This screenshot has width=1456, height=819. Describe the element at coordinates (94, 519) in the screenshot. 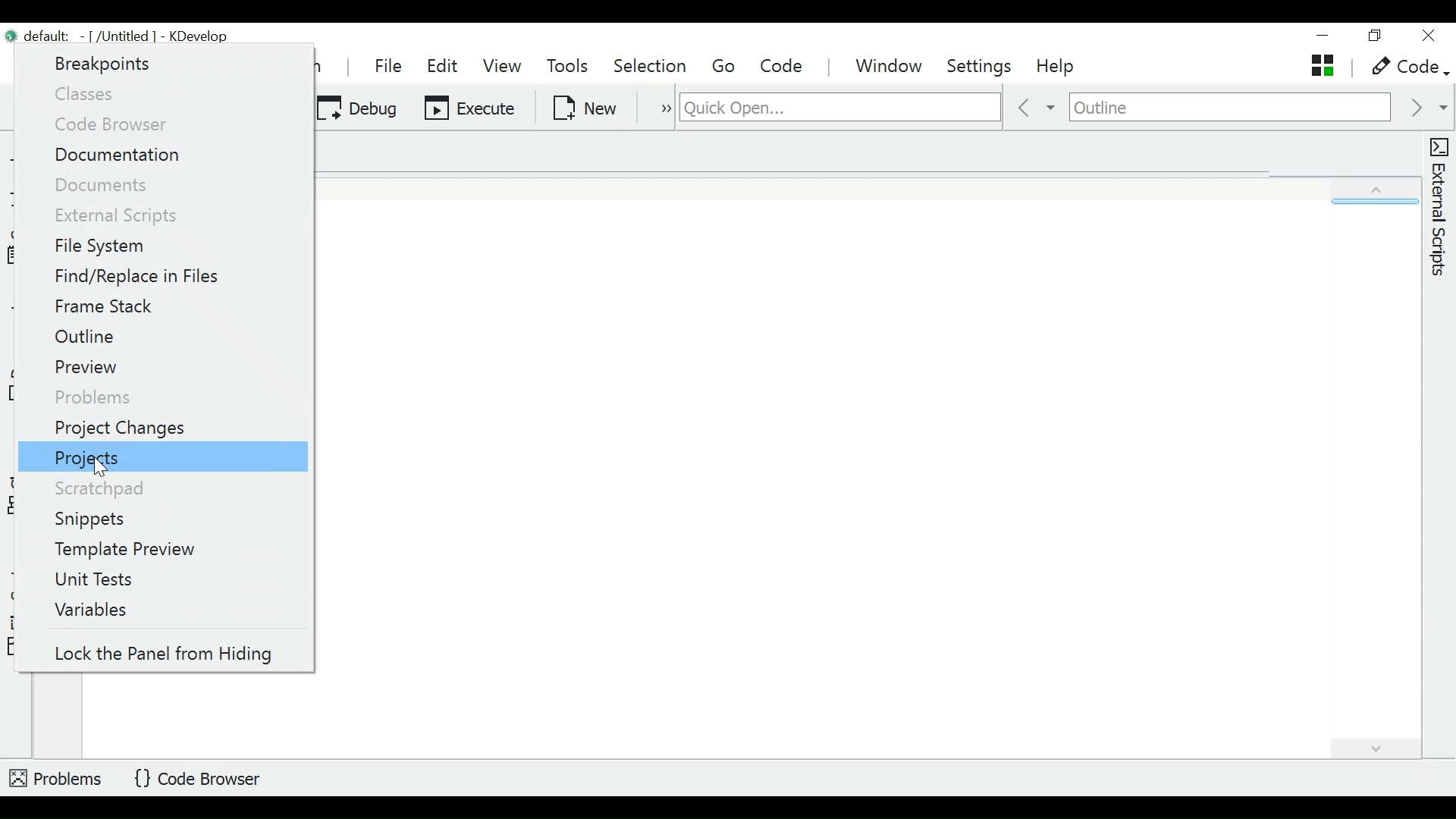

I see `Snippets` at that location.